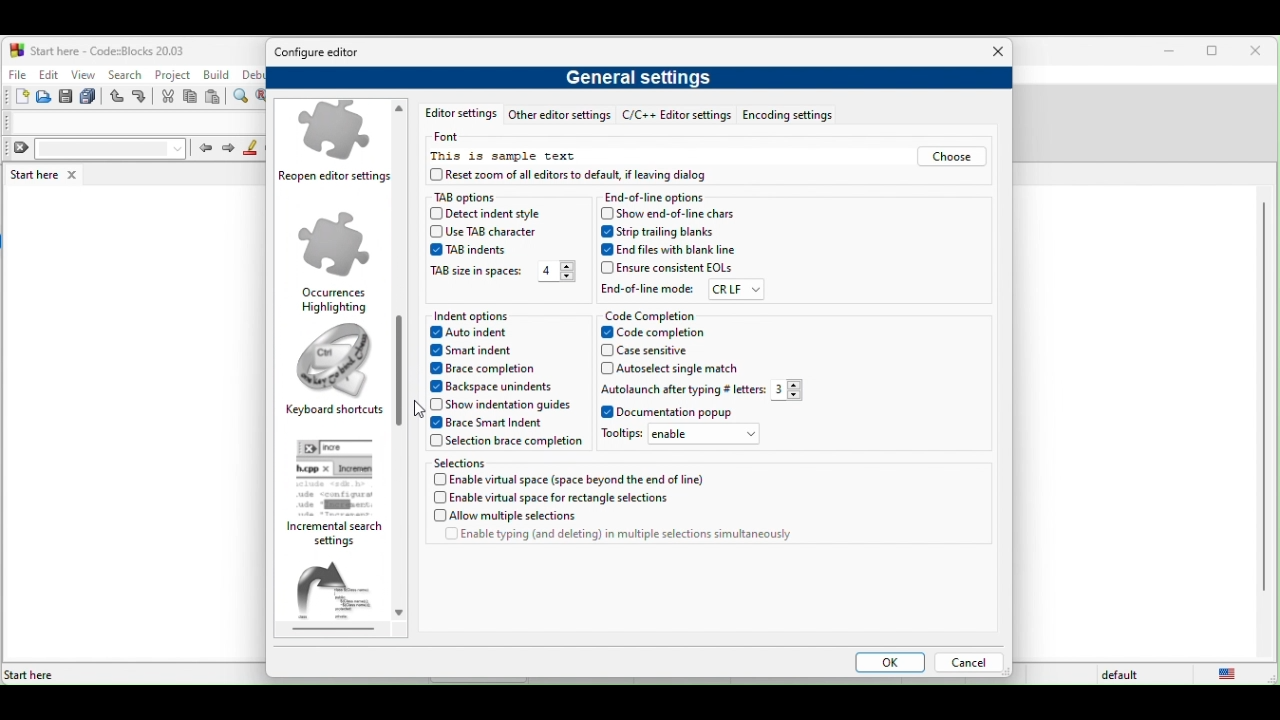  What do you see at coordinates (886, 664) in the screenshot?
I see `ok` at bounding box center [886, 664].